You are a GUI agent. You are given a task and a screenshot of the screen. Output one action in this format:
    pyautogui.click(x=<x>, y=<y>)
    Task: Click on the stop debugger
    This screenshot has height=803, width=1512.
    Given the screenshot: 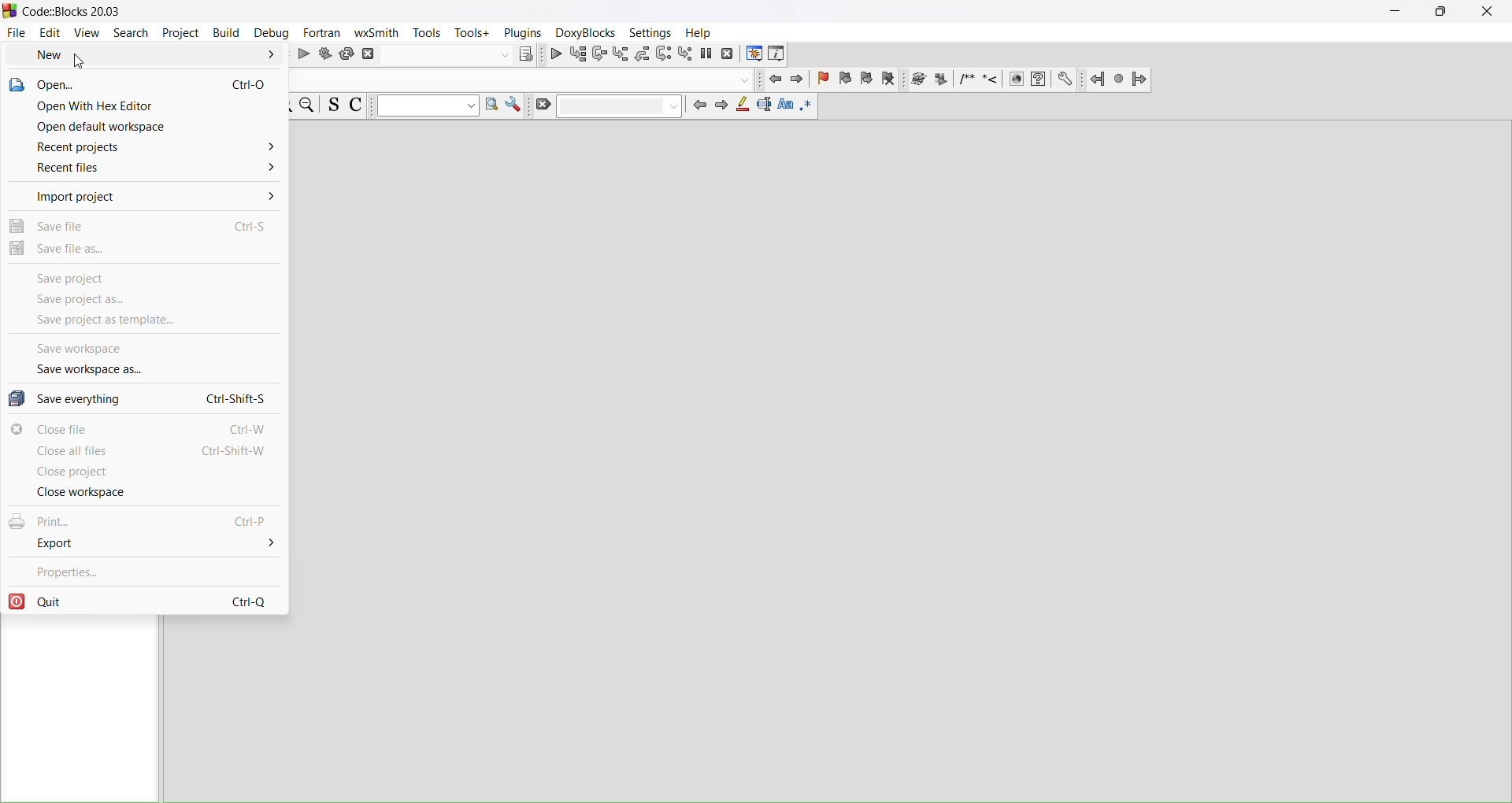 What is the action you would take?
    pyautogui.click(x=728, y=52)
    